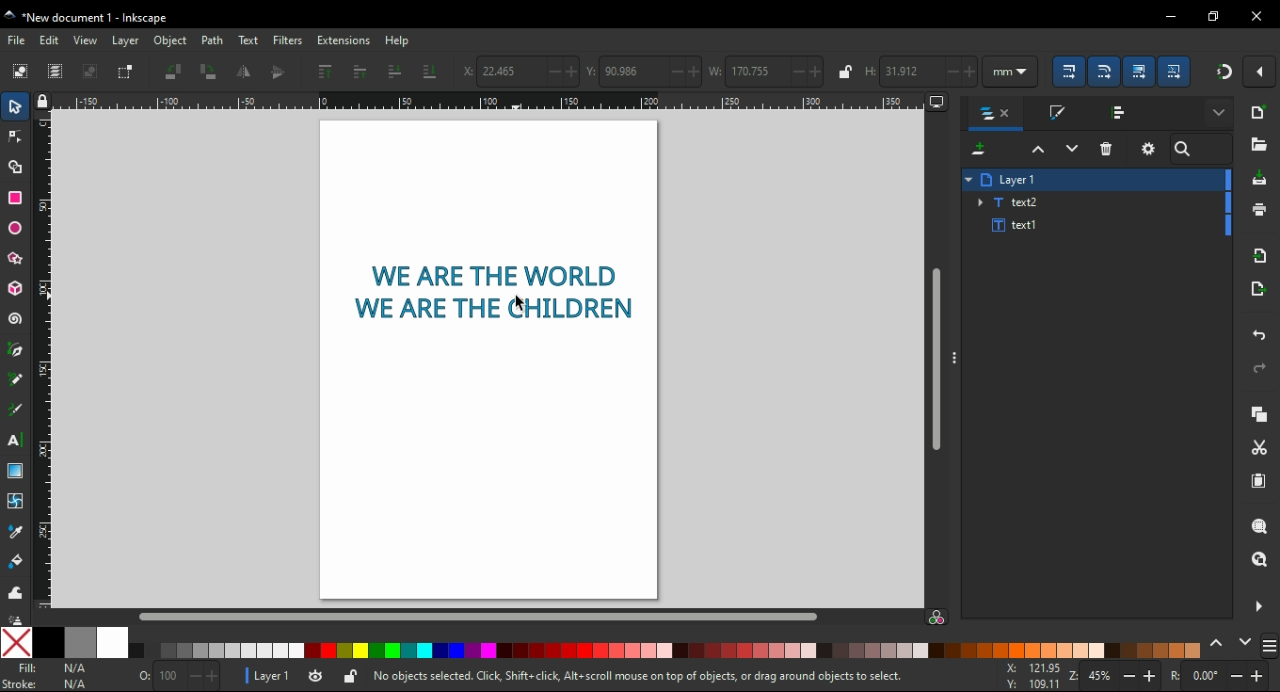 Image resolution: width=1280 pixels, height=692 pixels. Describe the element at coordinates (16, 380) in the screenshot. I see `pencil tool` at that location.